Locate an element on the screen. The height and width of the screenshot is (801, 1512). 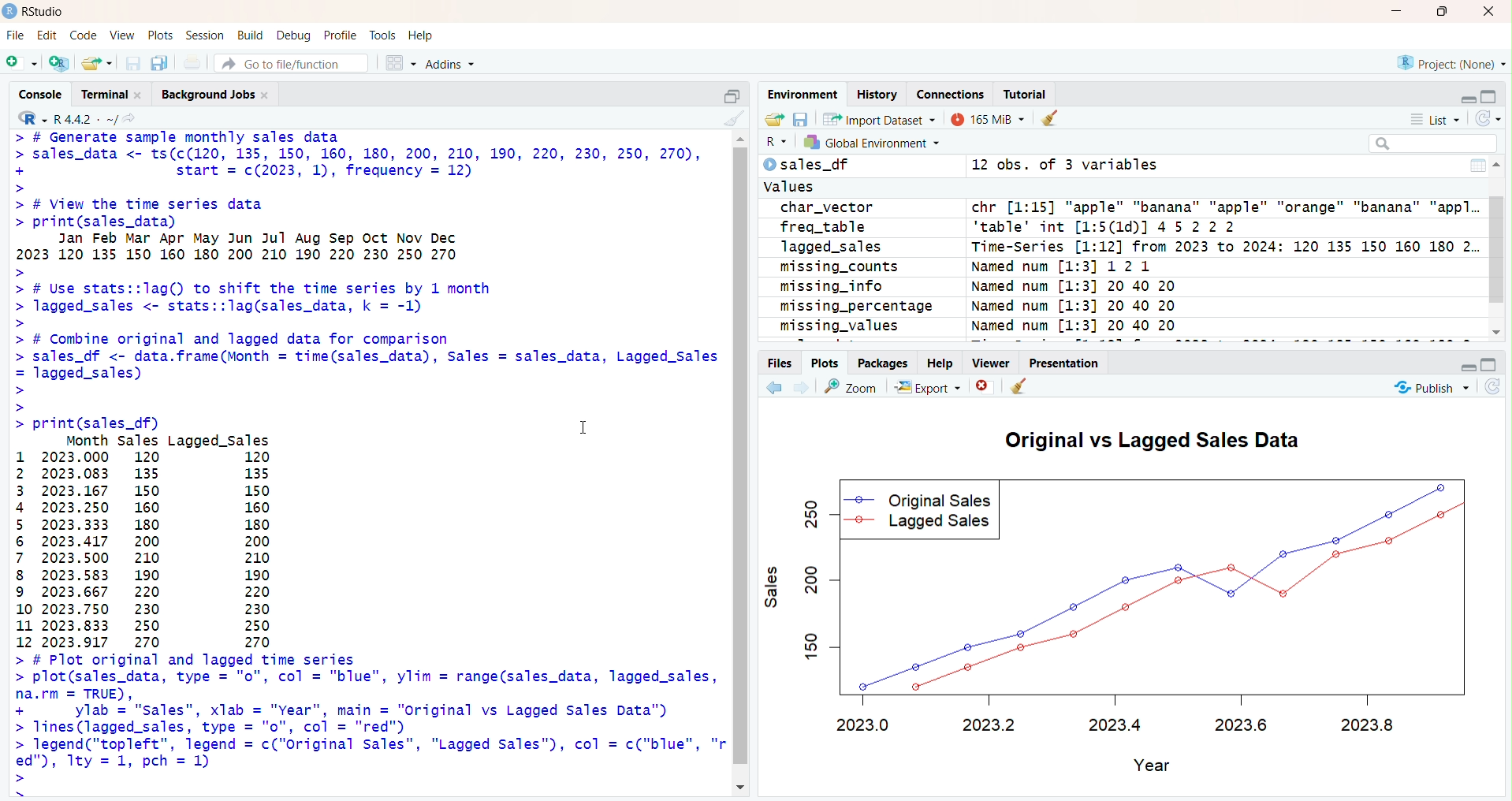
minimize is located at coordinates (1394, 12).